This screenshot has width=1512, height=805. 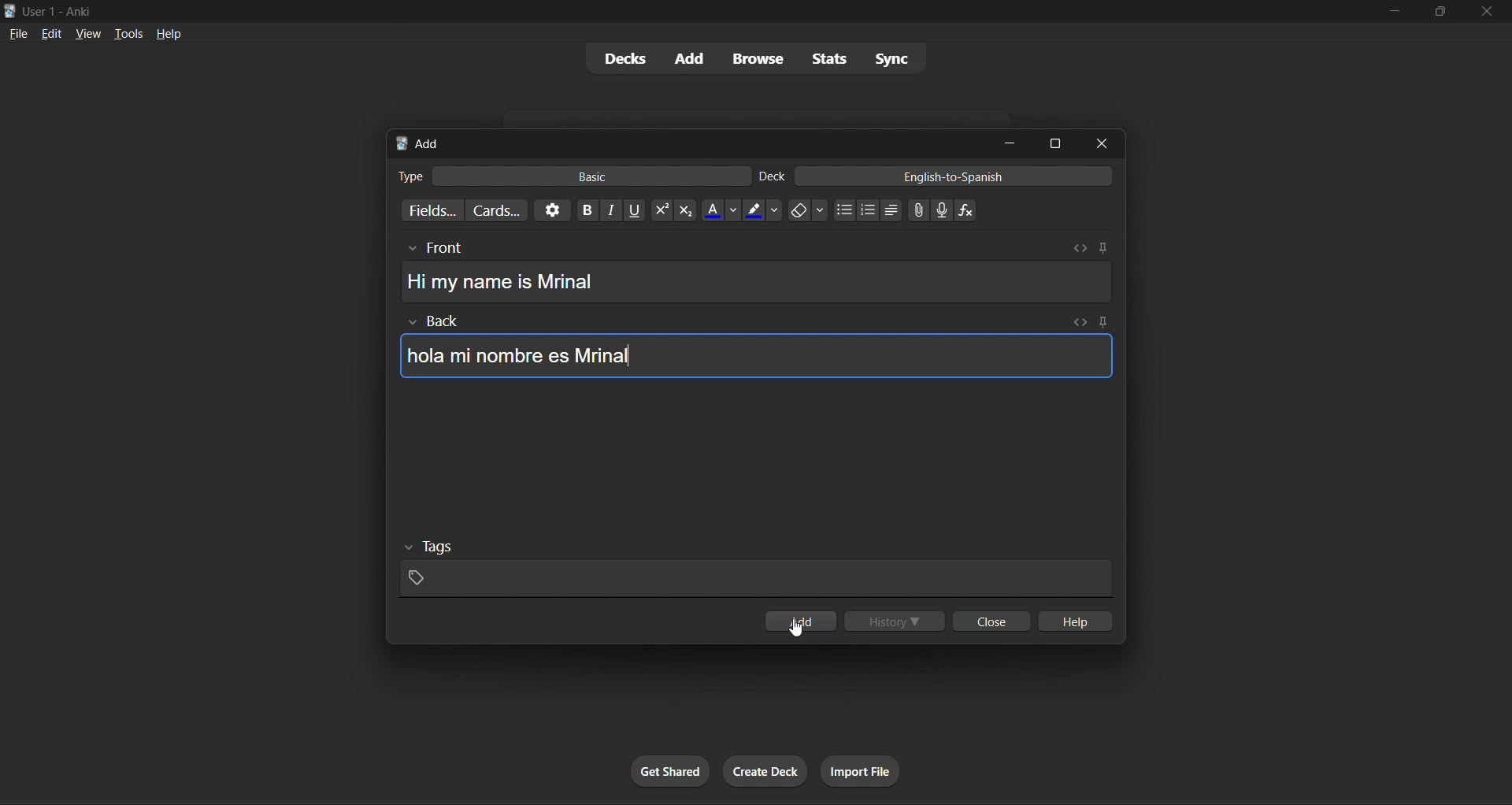 What do you see at coordinates (1007, 143) in the screenshot?
I see `minimize` at bounding box center [1007, 143].